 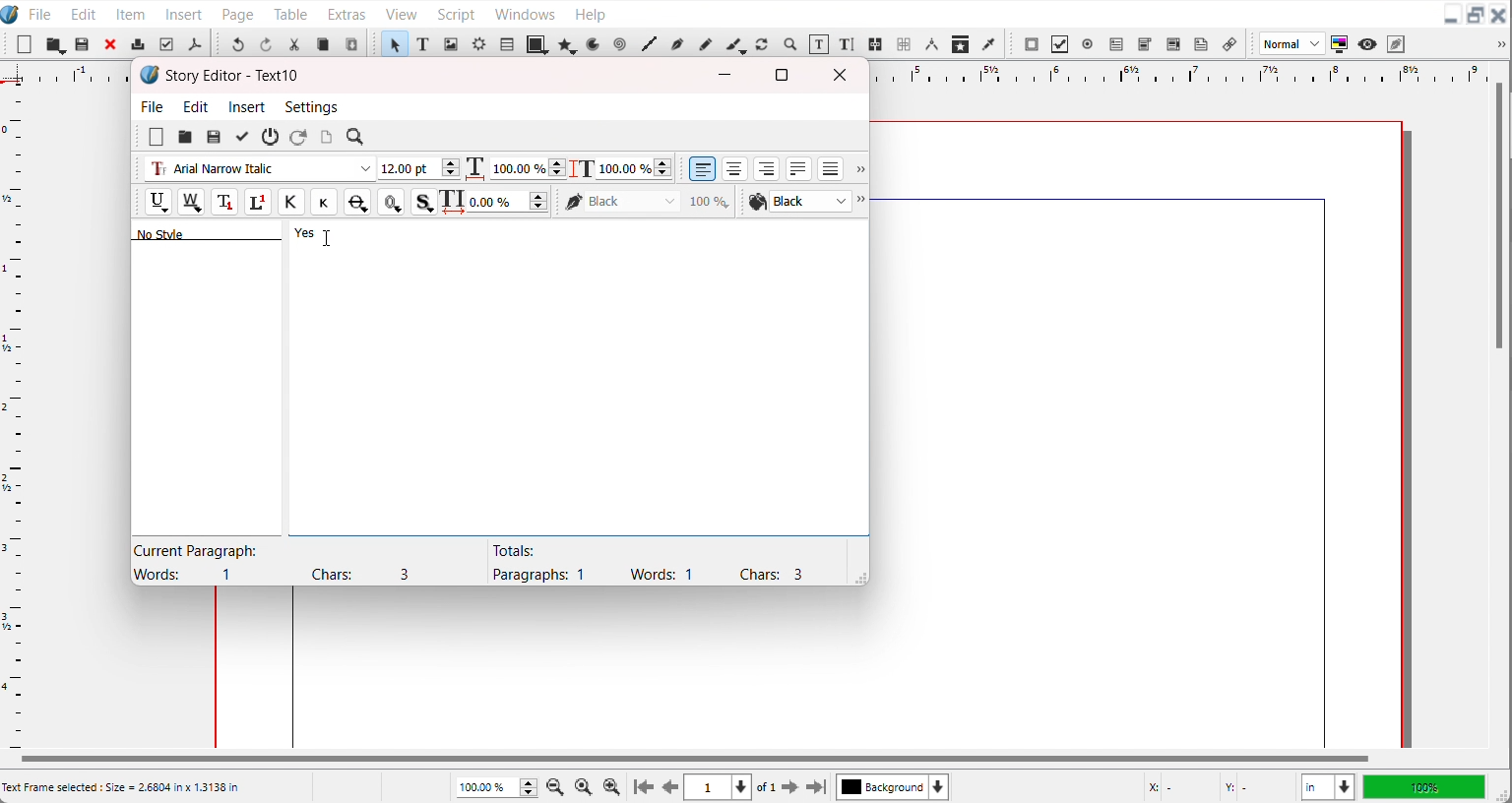 What do you see at coordinates (831, 168) in the screenshot?
I see `Align text forced Justified` at bounding box center [831, 168].